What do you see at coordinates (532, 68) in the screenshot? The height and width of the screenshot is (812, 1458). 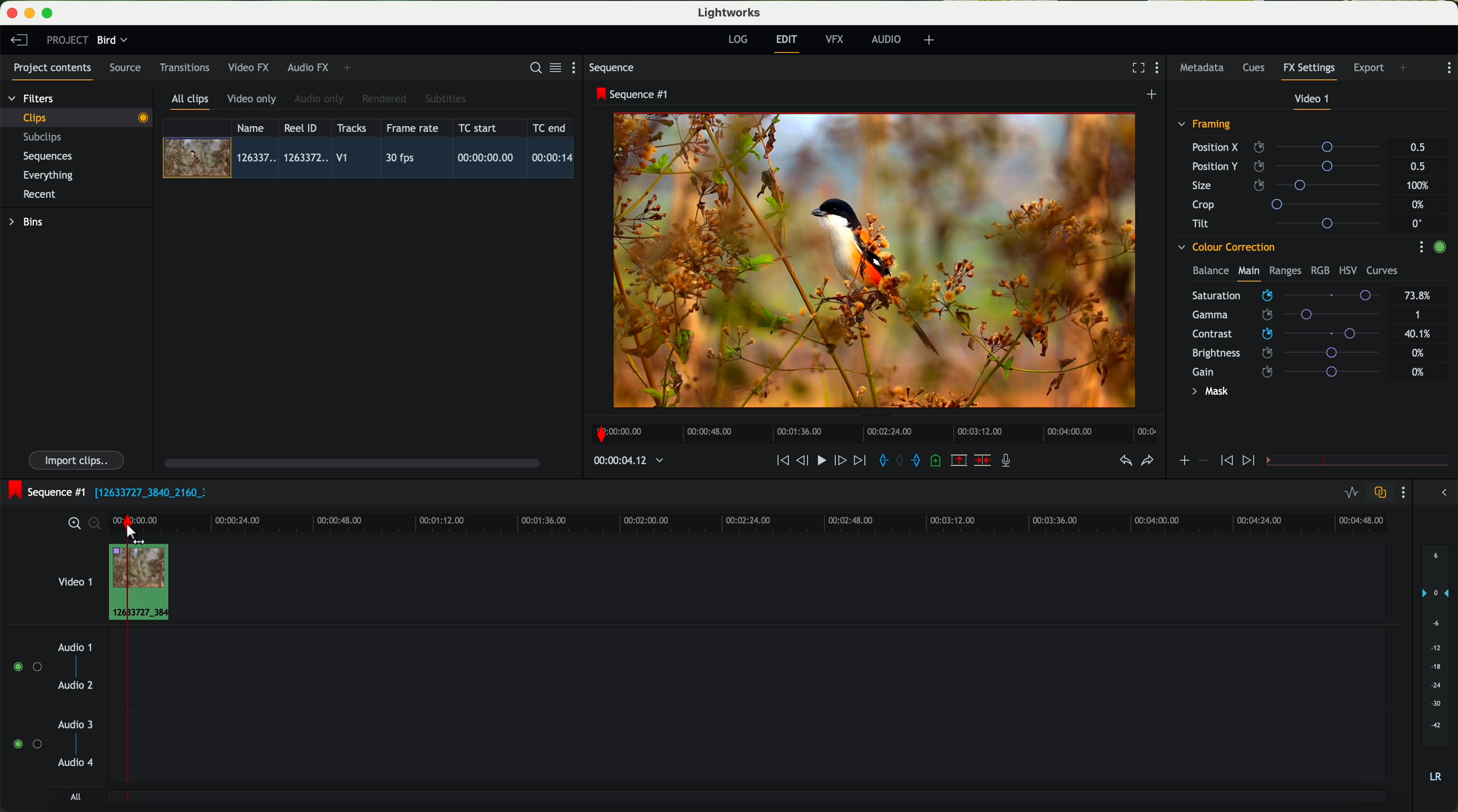 I see `search for assets or bins` at bounding box center [532, 68].